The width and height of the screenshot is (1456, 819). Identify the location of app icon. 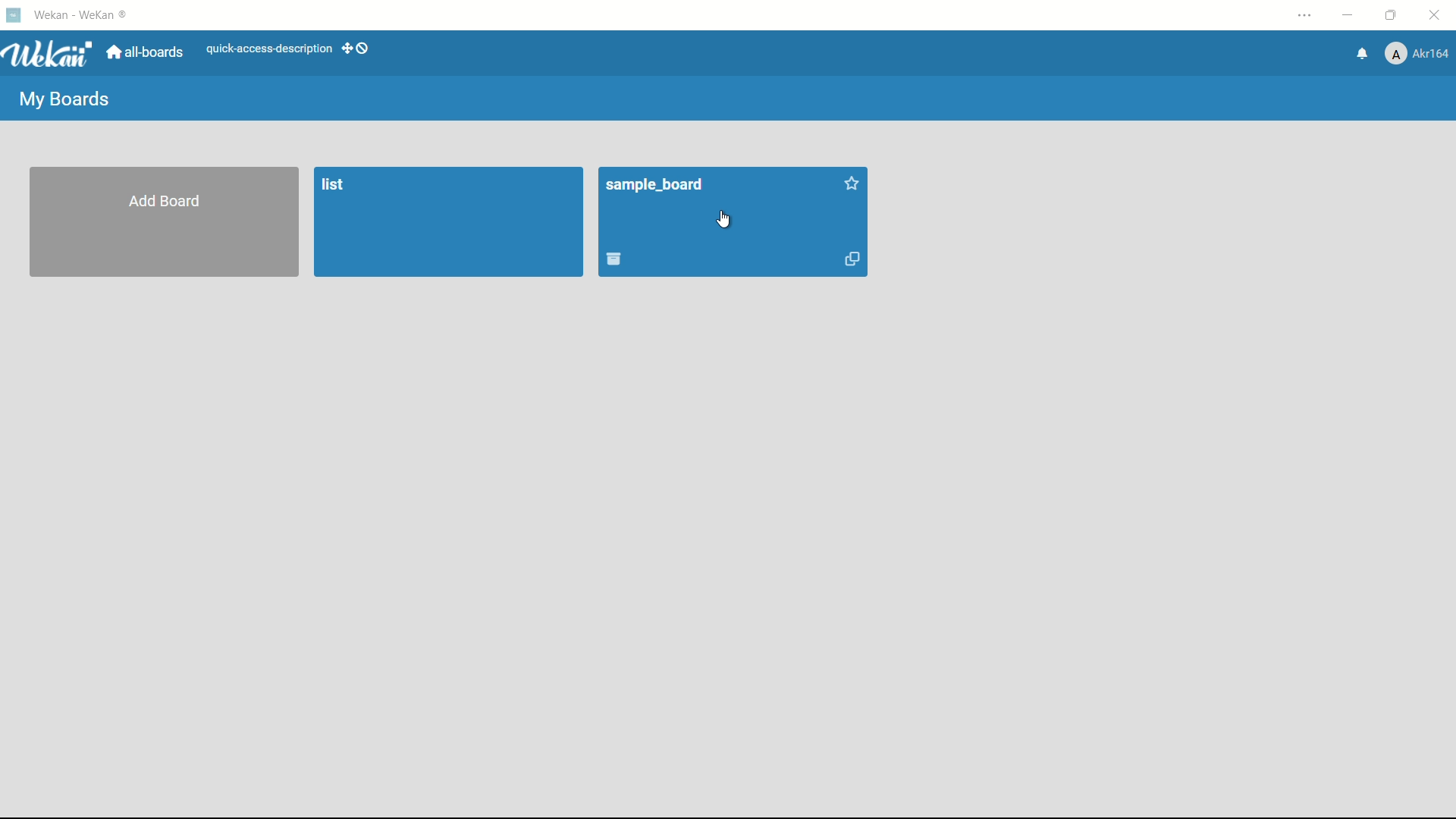
(14, 15).